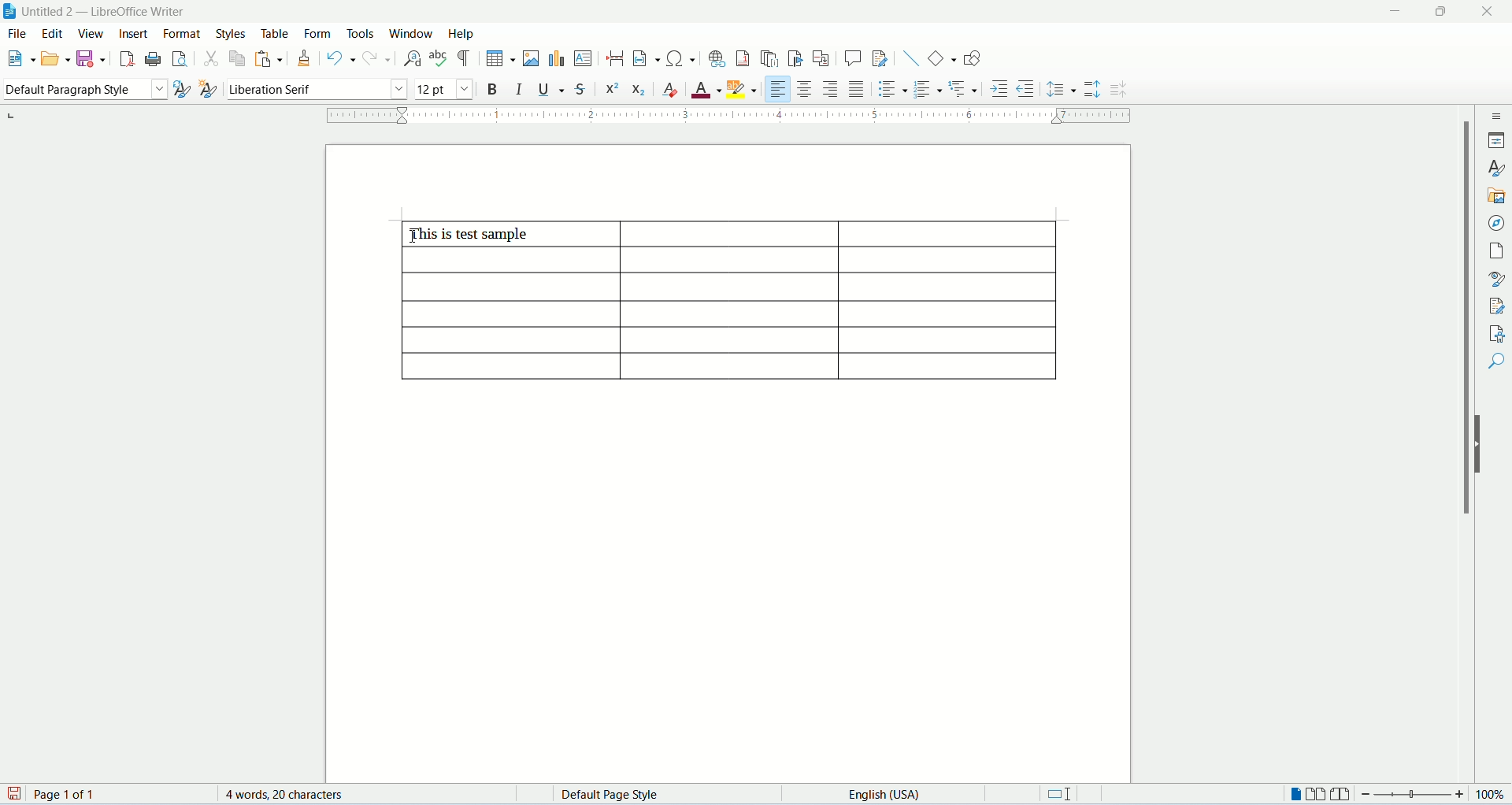  Describe the element at coordinates (154, 59) in the screenshot. I see `print` at that location.